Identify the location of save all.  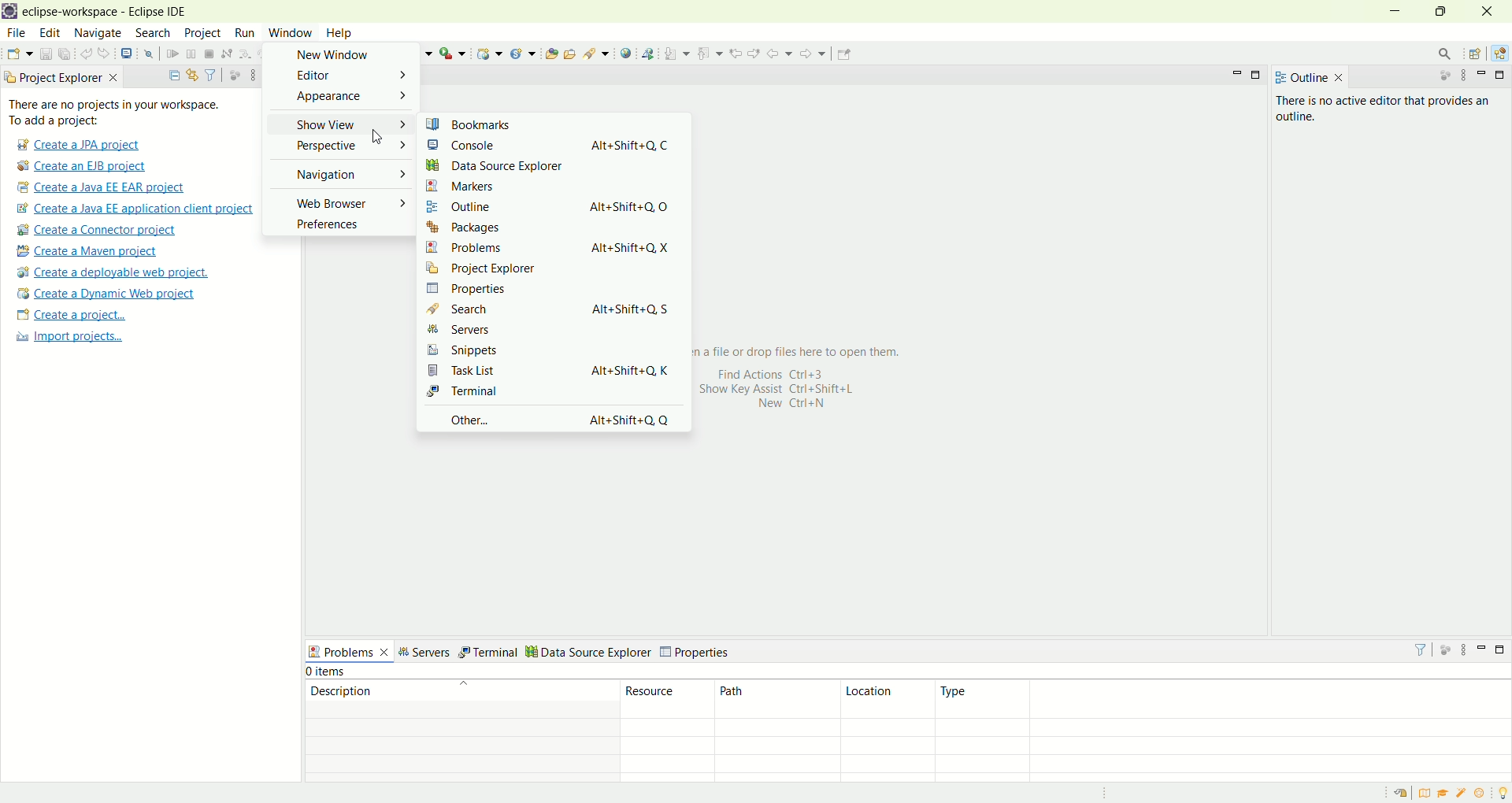
(65, 54).